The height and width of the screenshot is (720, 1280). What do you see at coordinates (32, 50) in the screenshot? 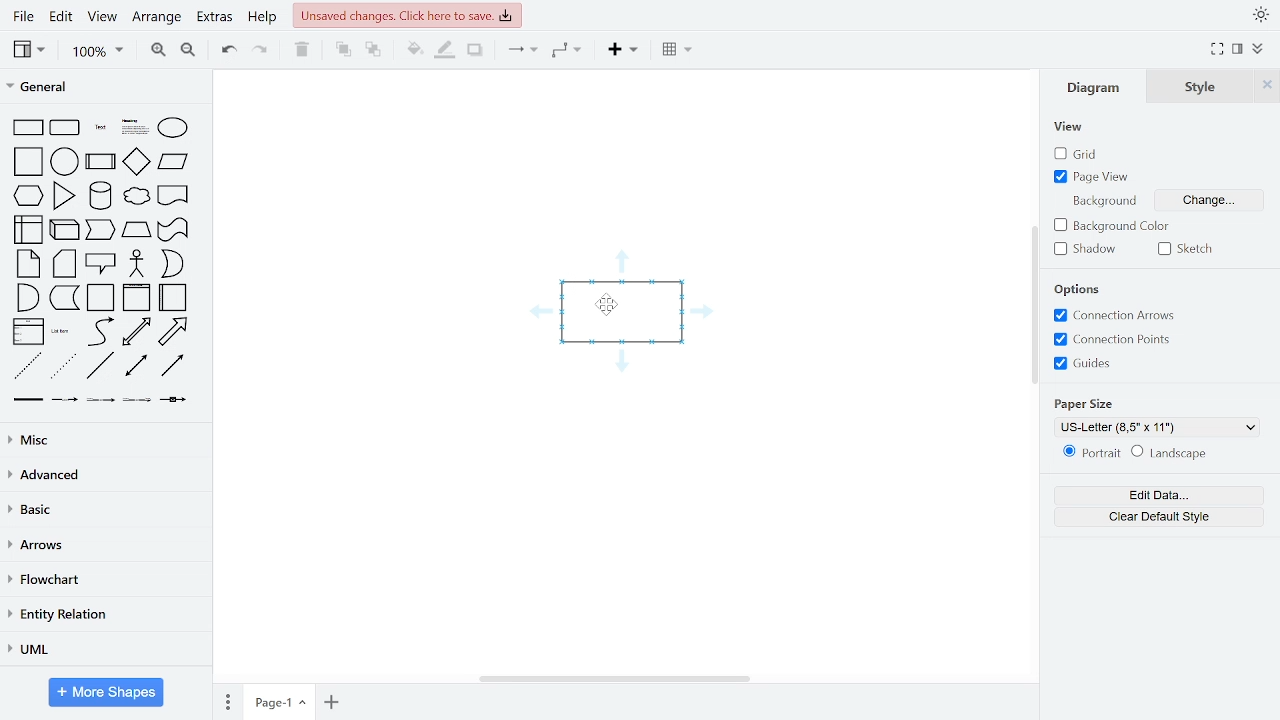
I see `view` at bounding box center [32, 50].